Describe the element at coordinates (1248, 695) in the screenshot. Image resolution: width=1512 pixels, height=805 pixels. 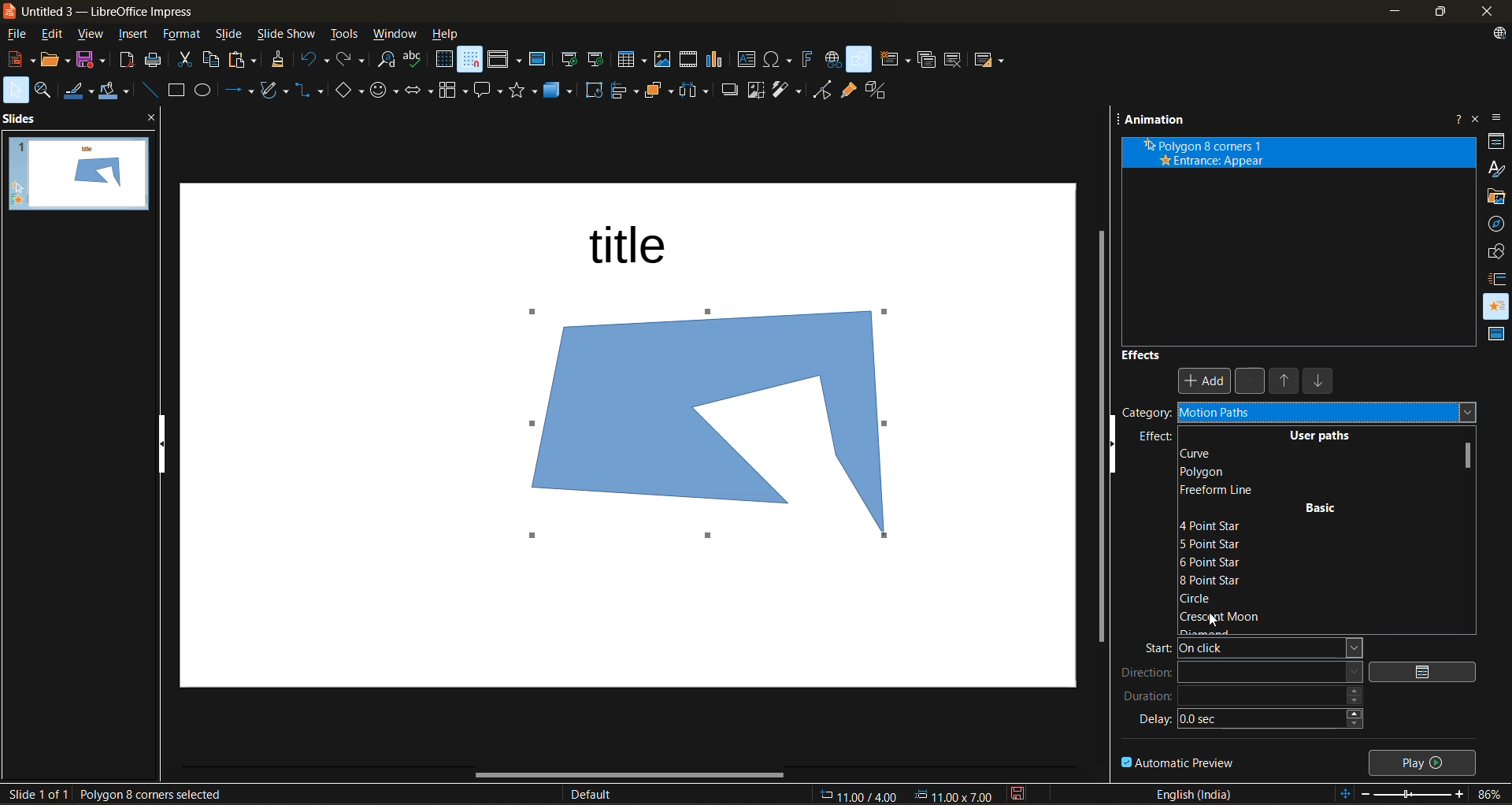
I see `duration` at that location.